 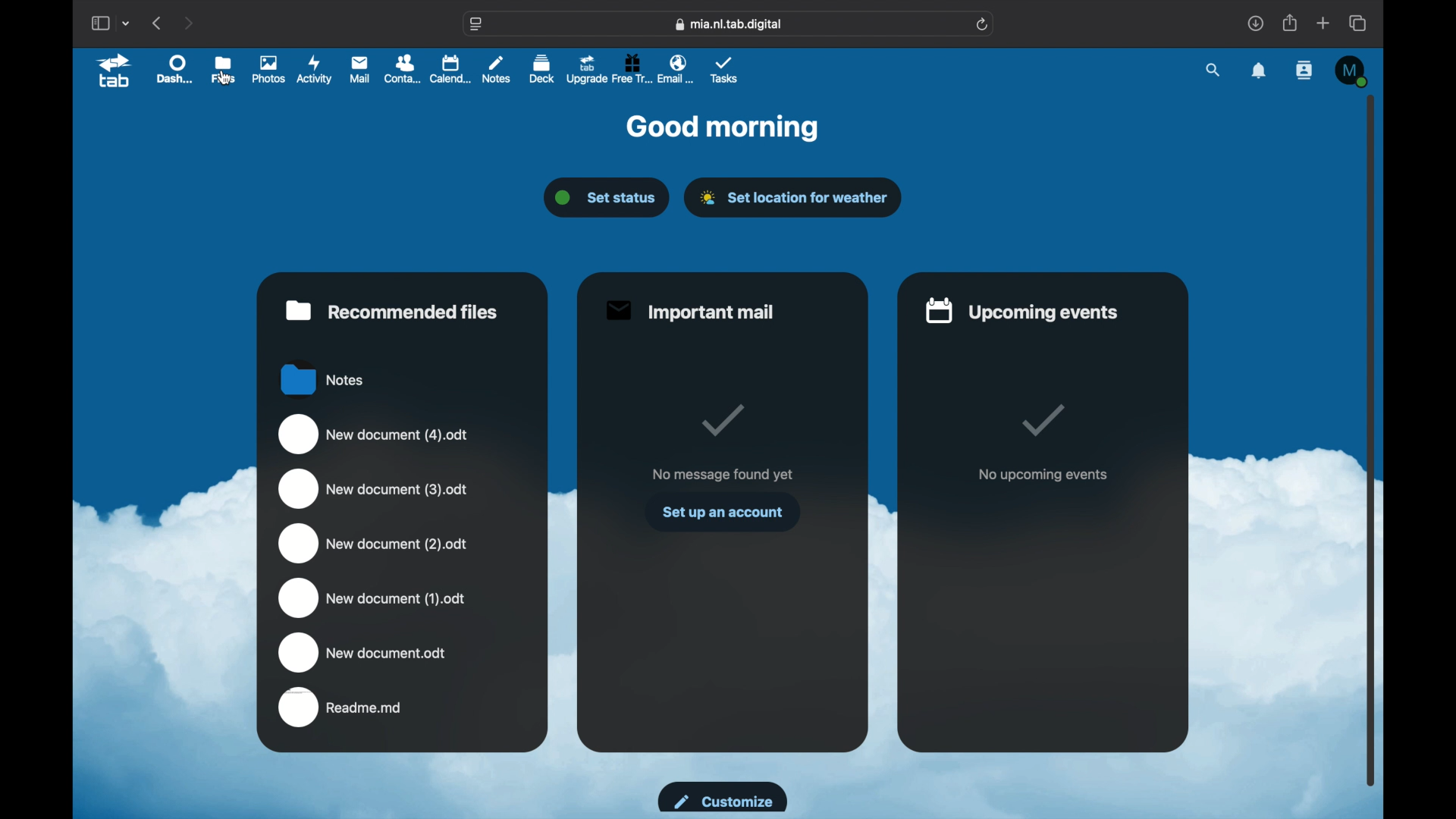 I want to click on set status, so click(x=607, y=198).